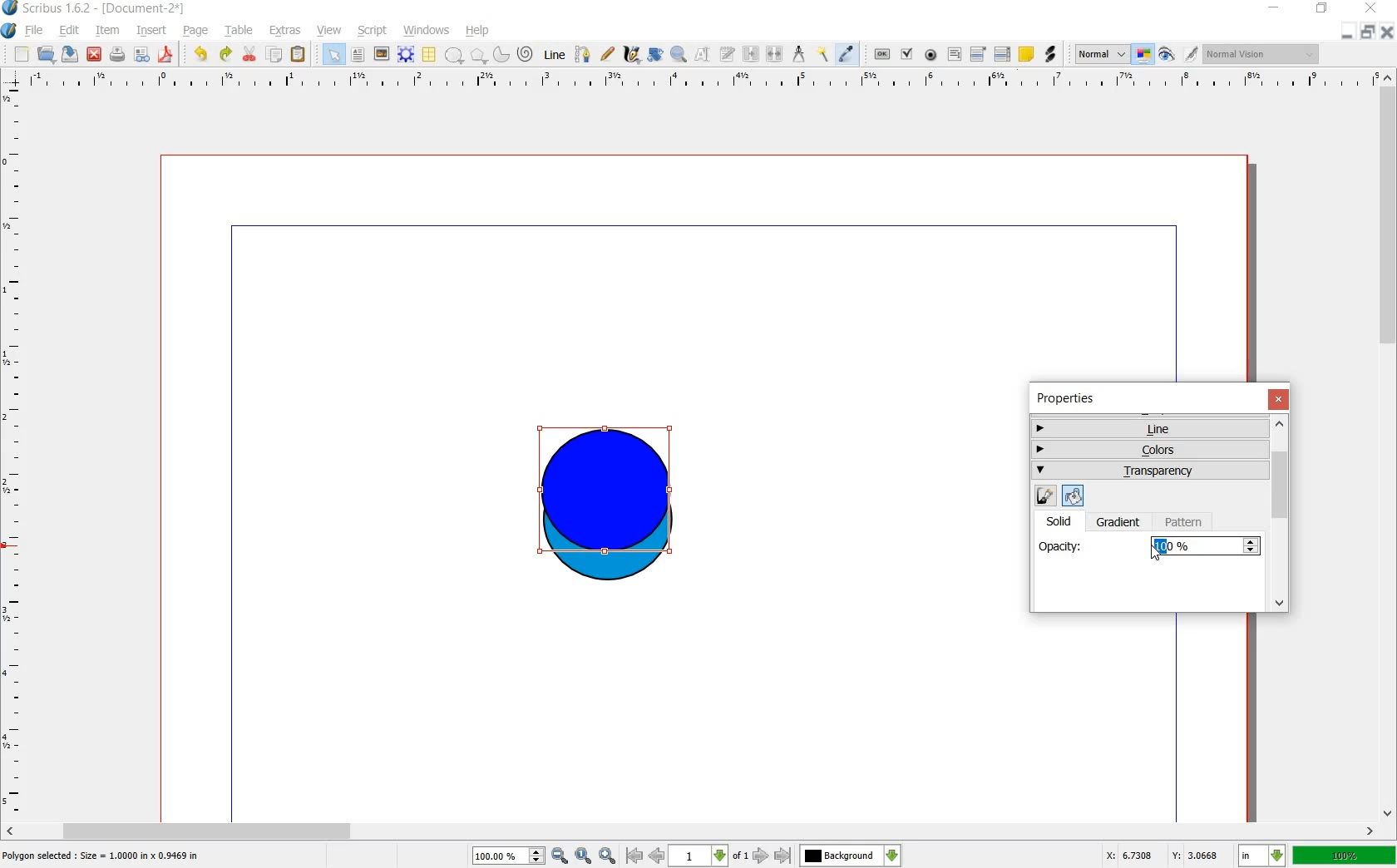  What do you see at coordinates (276, 55) in the screenshot?
I see `copy` at bounding box center [276, 55].